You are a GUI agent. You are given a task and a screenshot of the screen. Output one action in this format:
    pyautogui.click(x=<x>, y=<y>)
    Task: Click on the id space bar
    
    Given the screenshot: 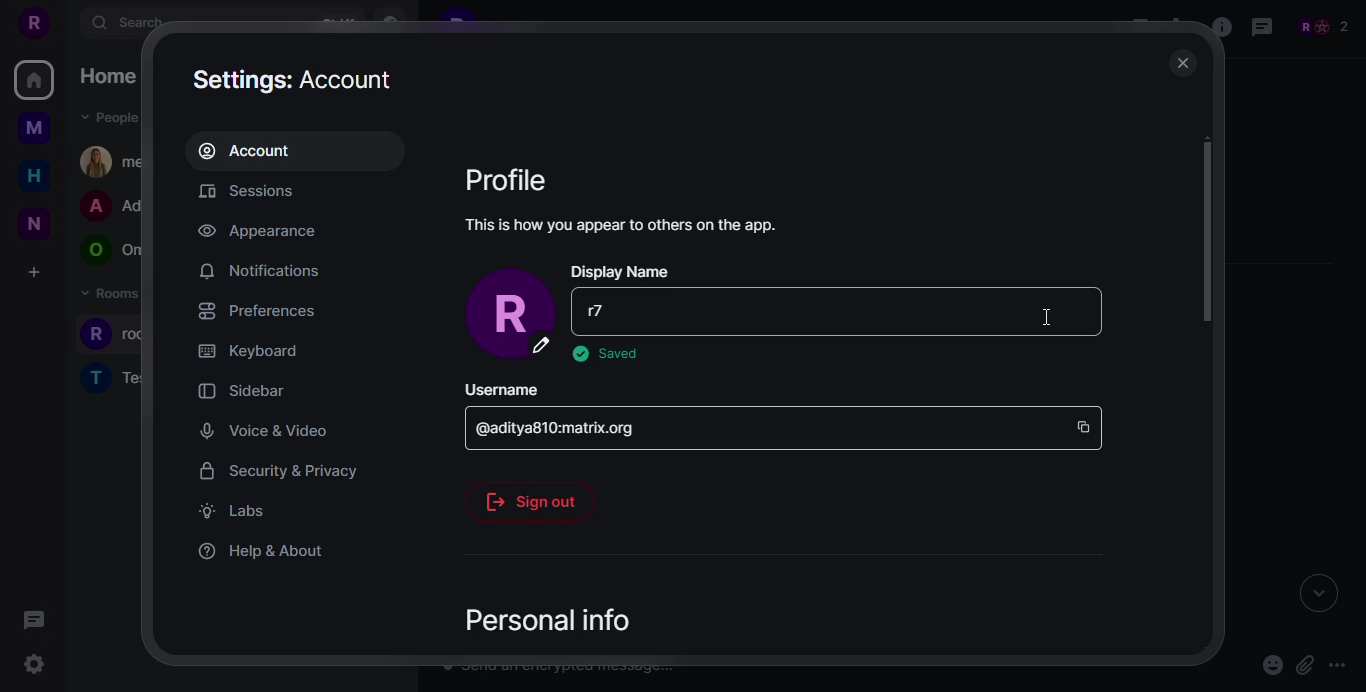 What is the action you would take?
    pyautogui.click(x=558, y=422)
    